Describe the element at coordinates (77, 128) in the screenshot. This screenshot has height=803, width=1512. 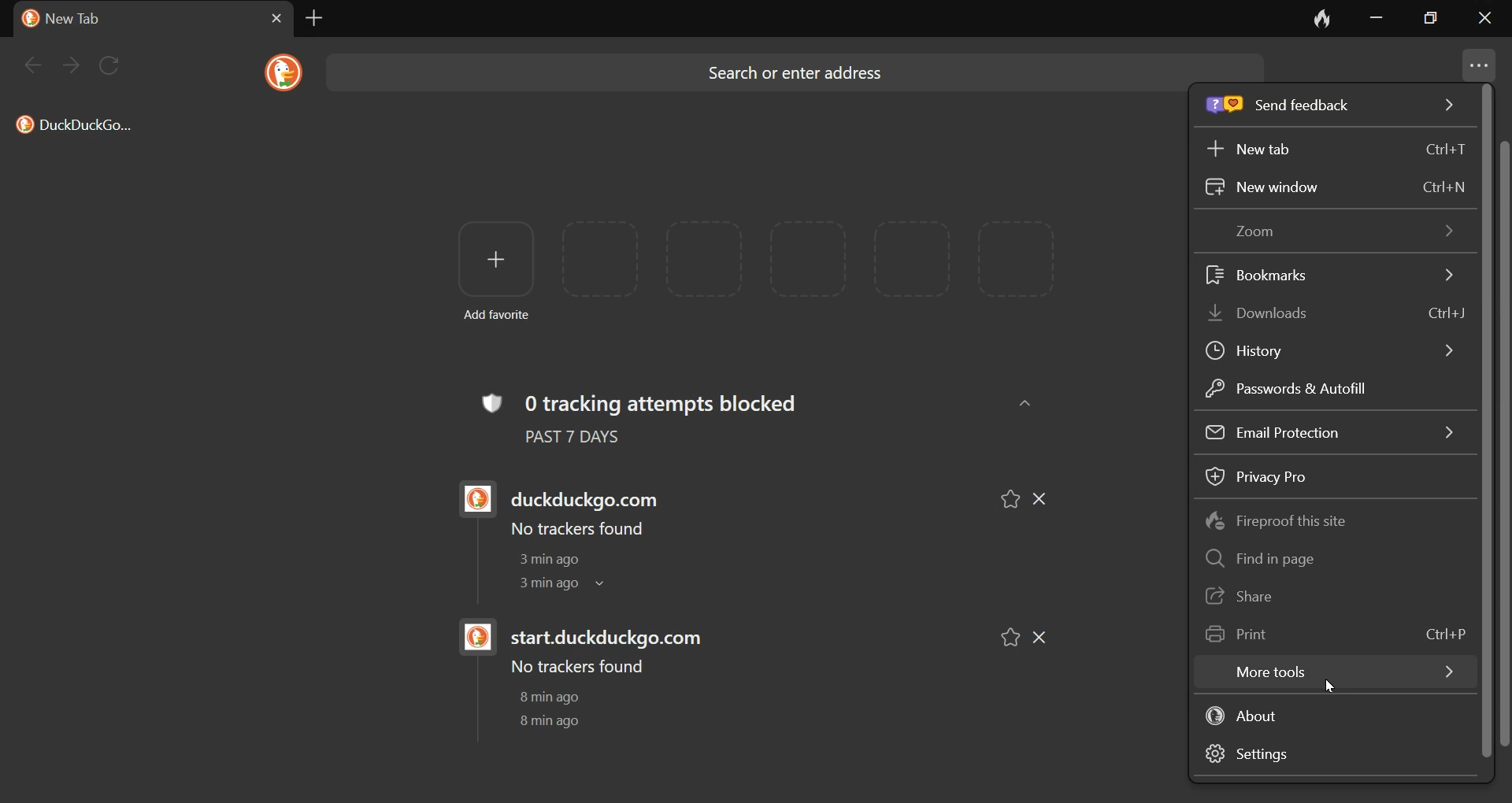
I see `DuckDuckGo.` at that location.